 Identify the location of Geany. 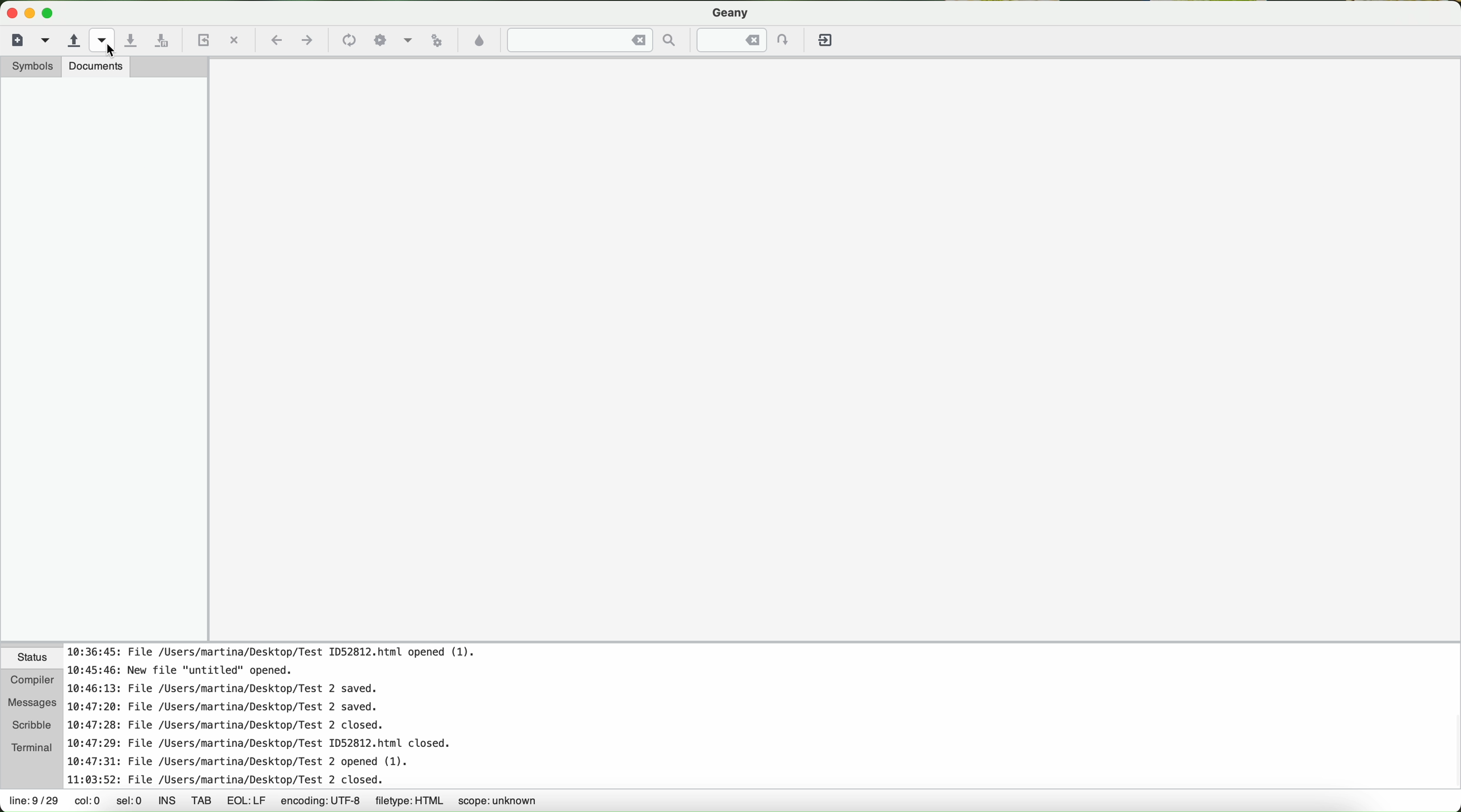
(731, 11).